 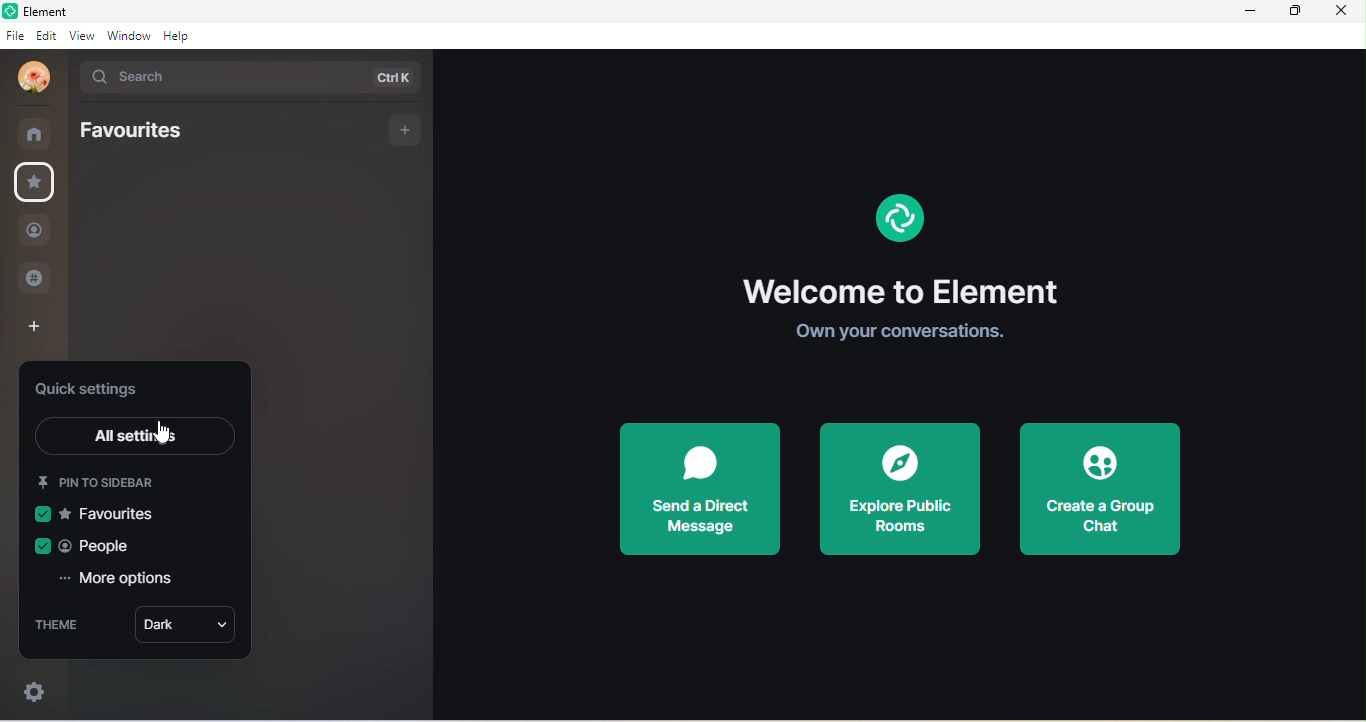 I want to click on all settings, so click(x=135, y=439).